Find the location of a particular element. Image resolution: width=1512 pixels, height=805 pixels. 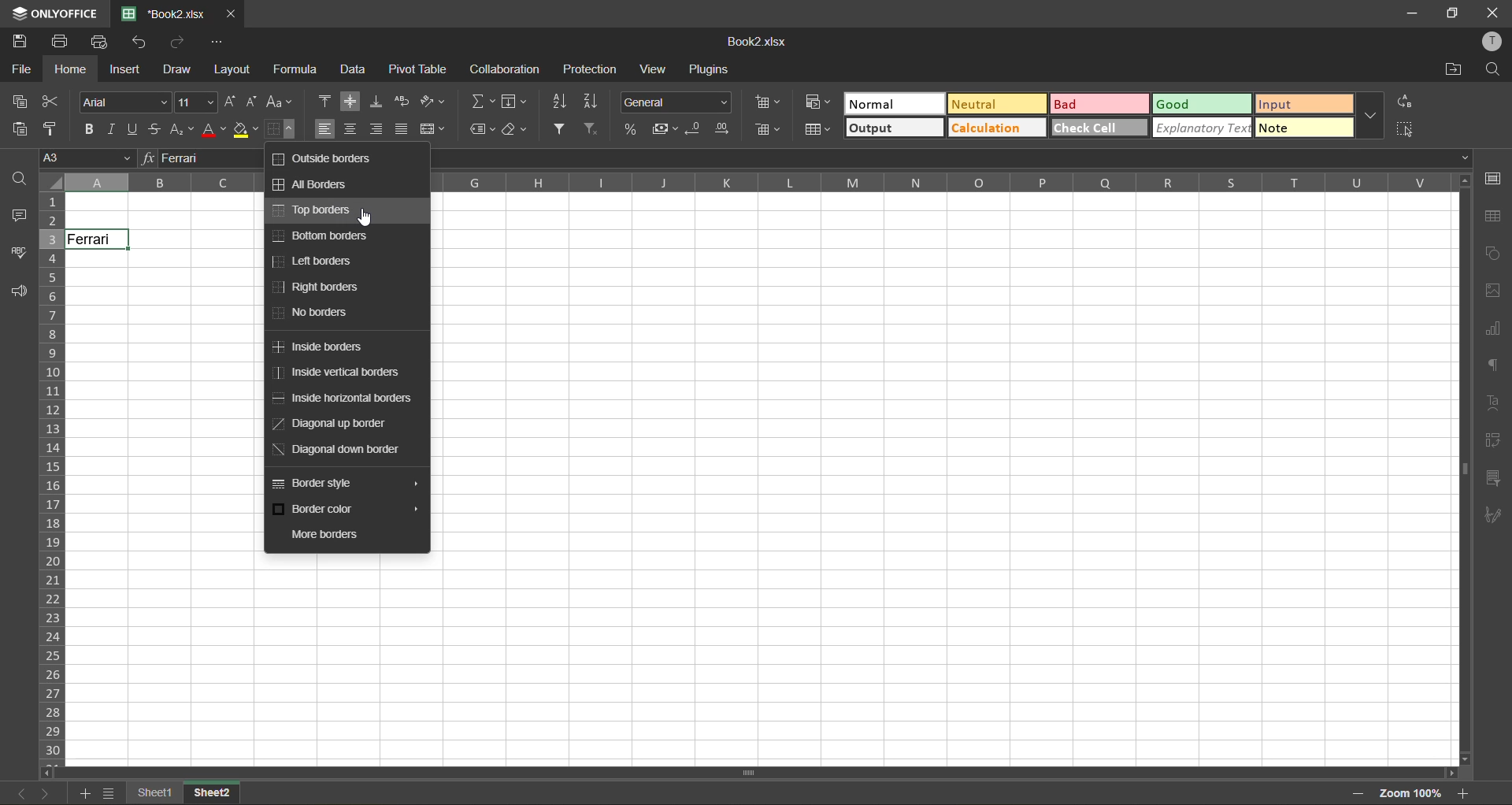

diagonal down border is located at coordinates (334, 451).